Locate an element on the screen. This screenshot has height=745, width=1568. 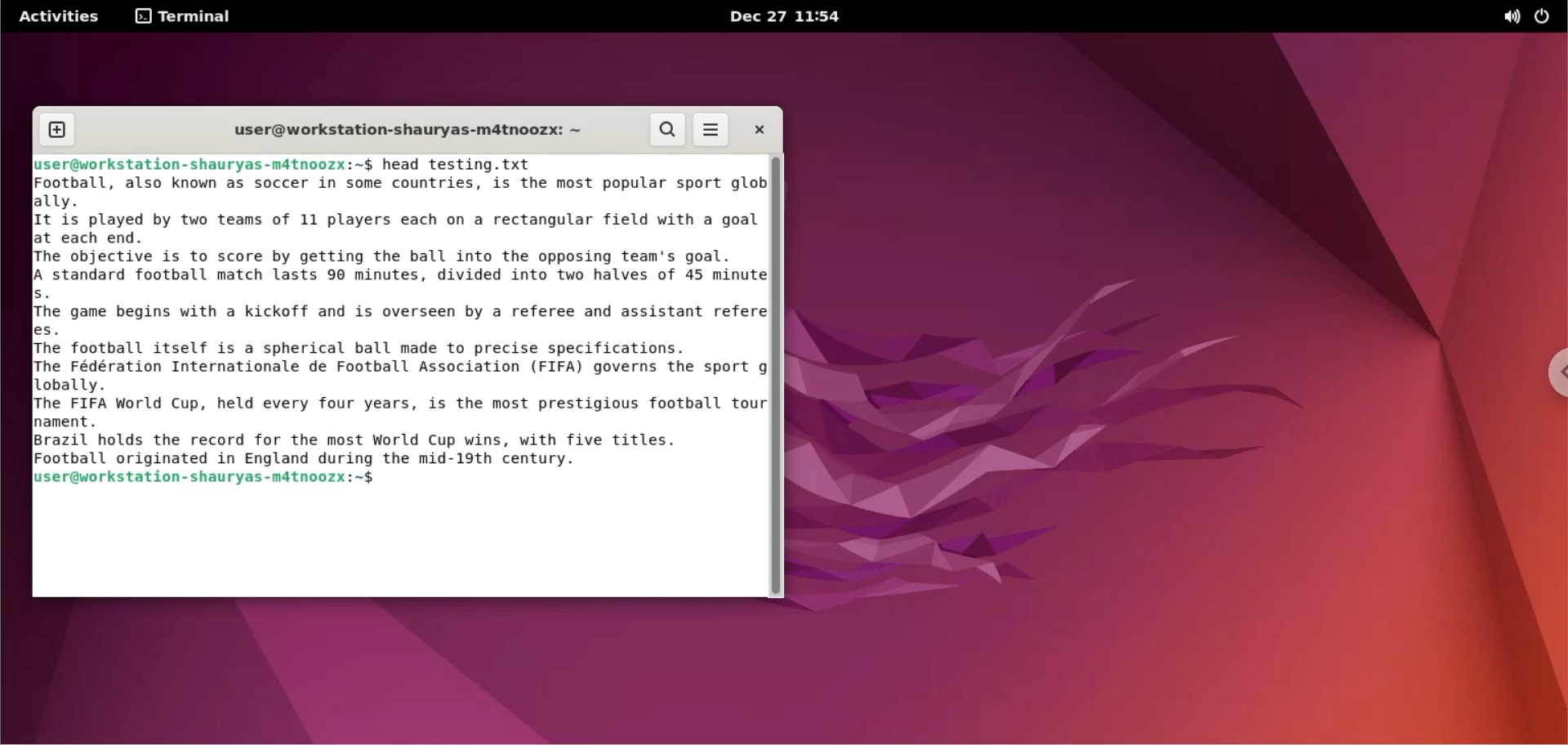
chrome options is located at coordinates (1553, 373).